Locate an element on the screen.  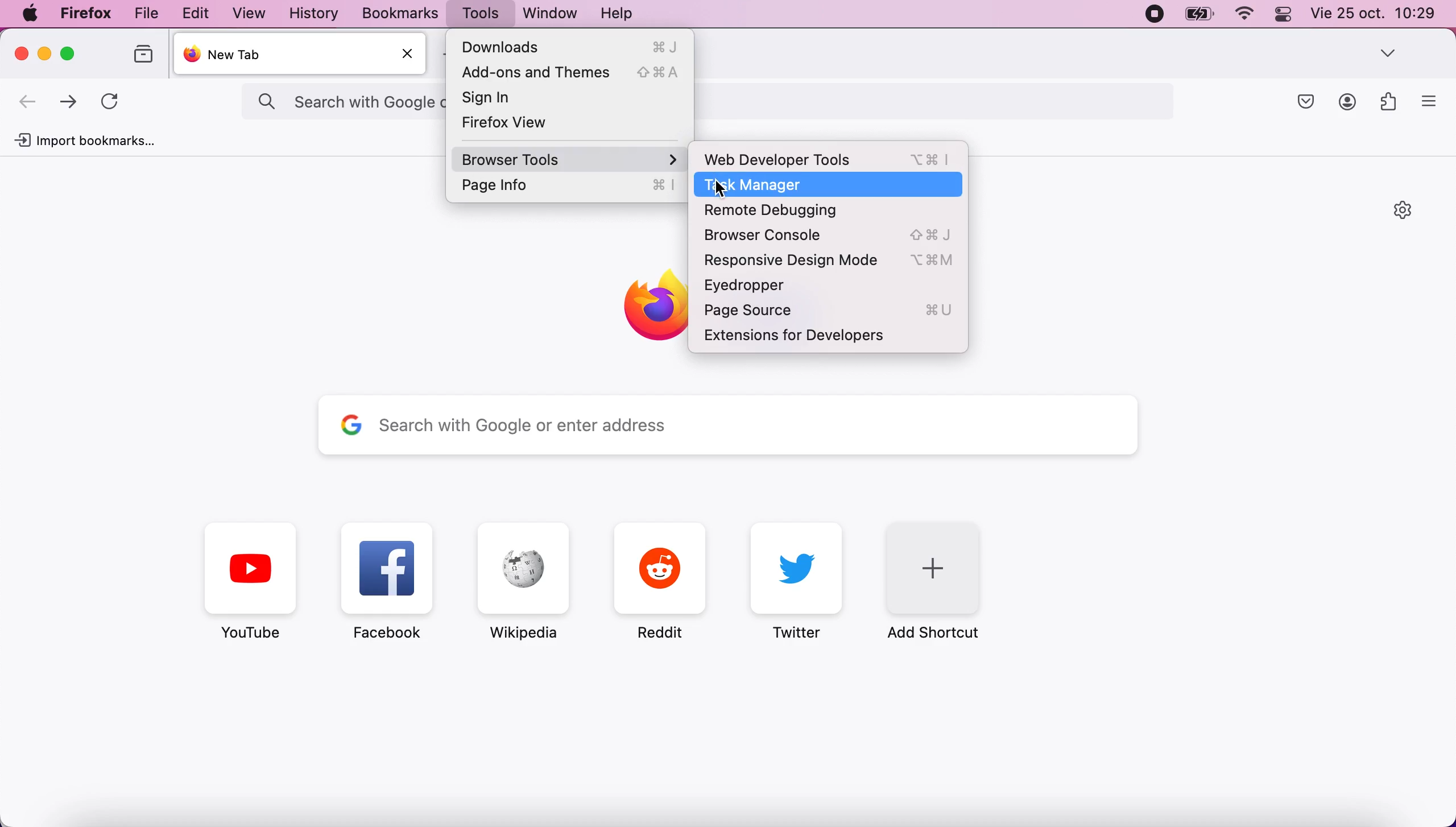
Firefox is located at coordinates (86, 14).